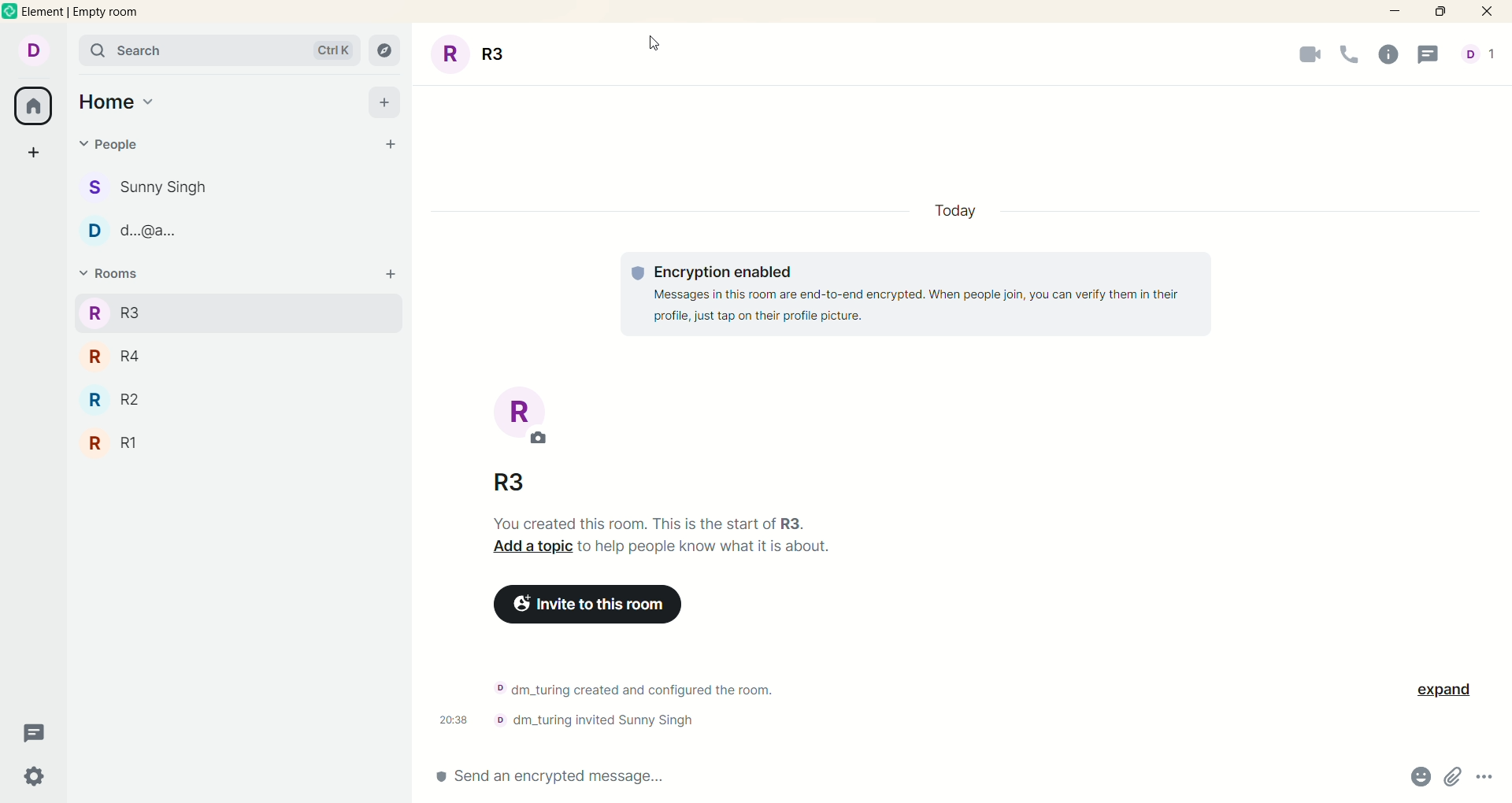 This screenshot has height=803, width=1512. What do you see at coordinates (114, 401) in the screenshot?
I see `R R2` at bounding box center [114, 401].